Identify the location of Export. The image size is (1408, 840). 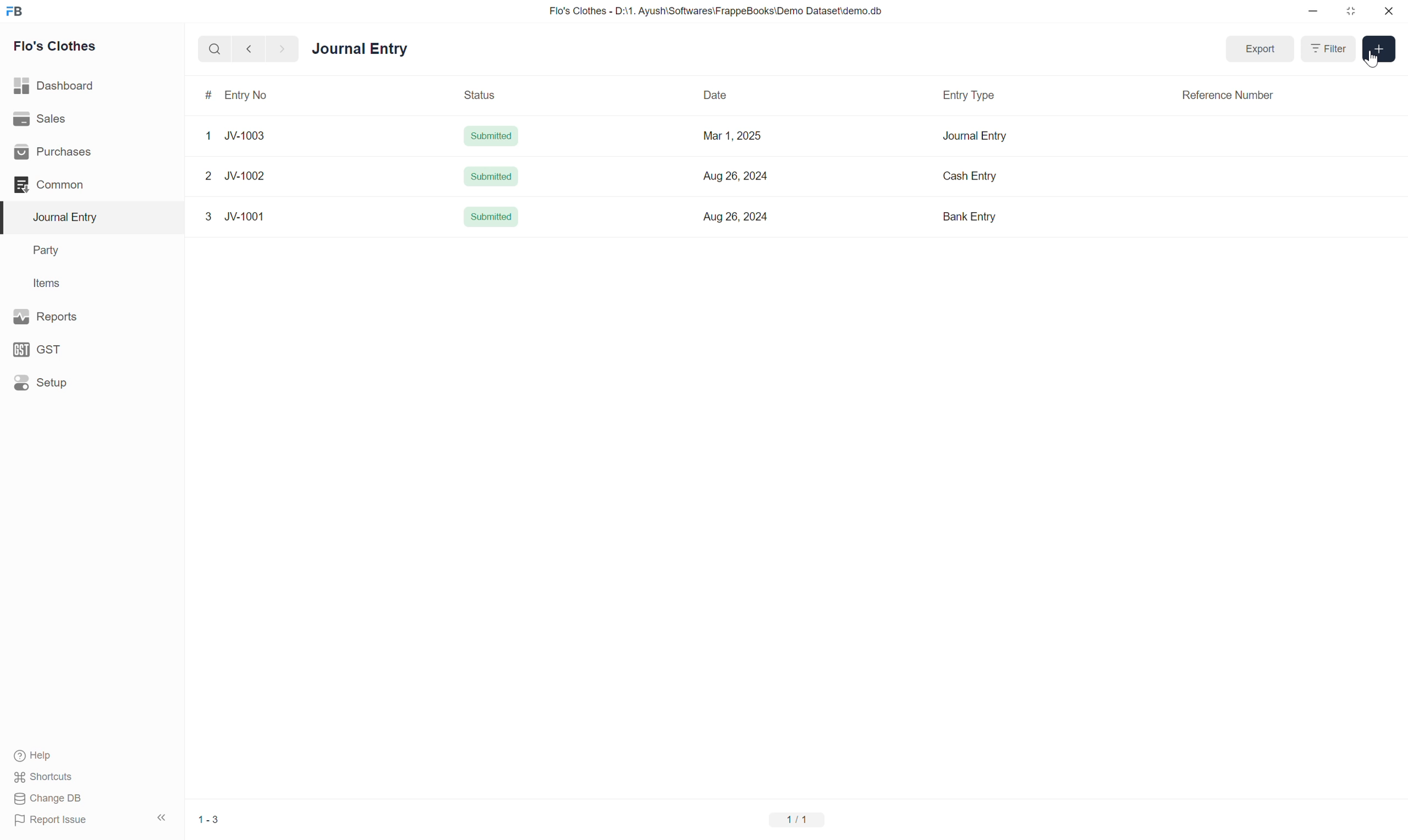
(1261, 49).